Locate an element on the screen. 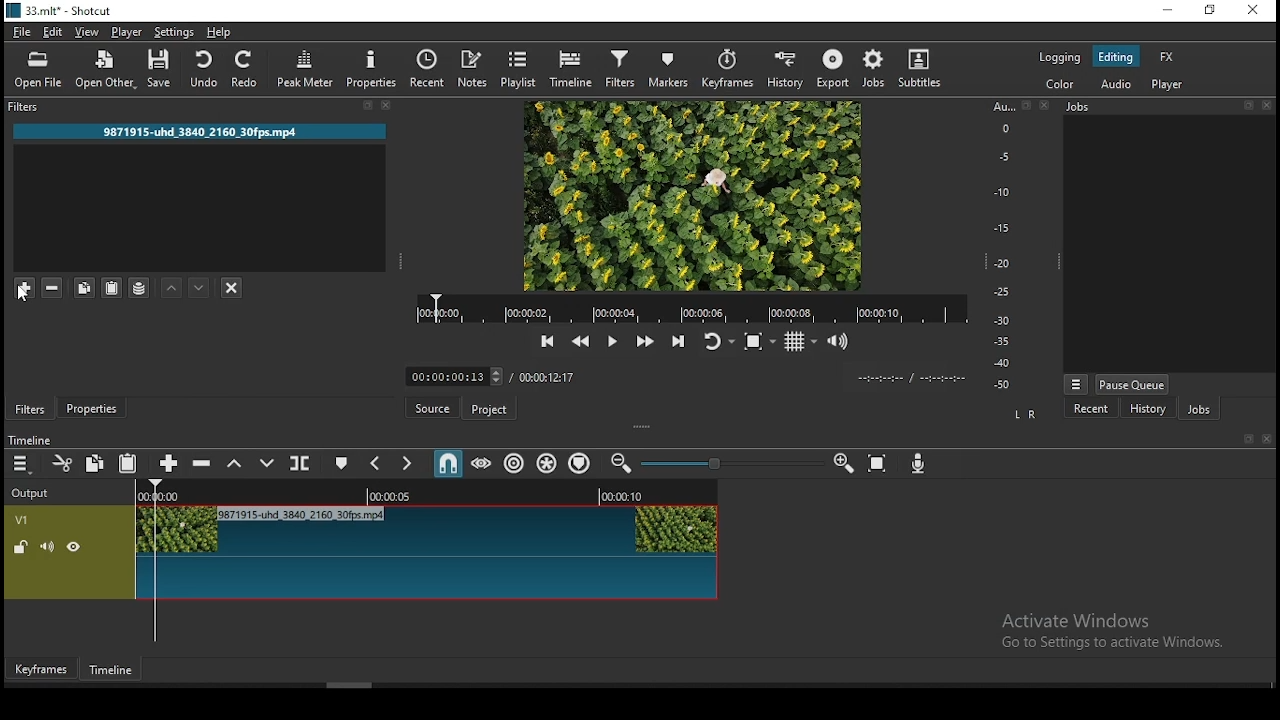 This screenshot has height=720, width=1280. resize is located at coordinates (1025, 105).